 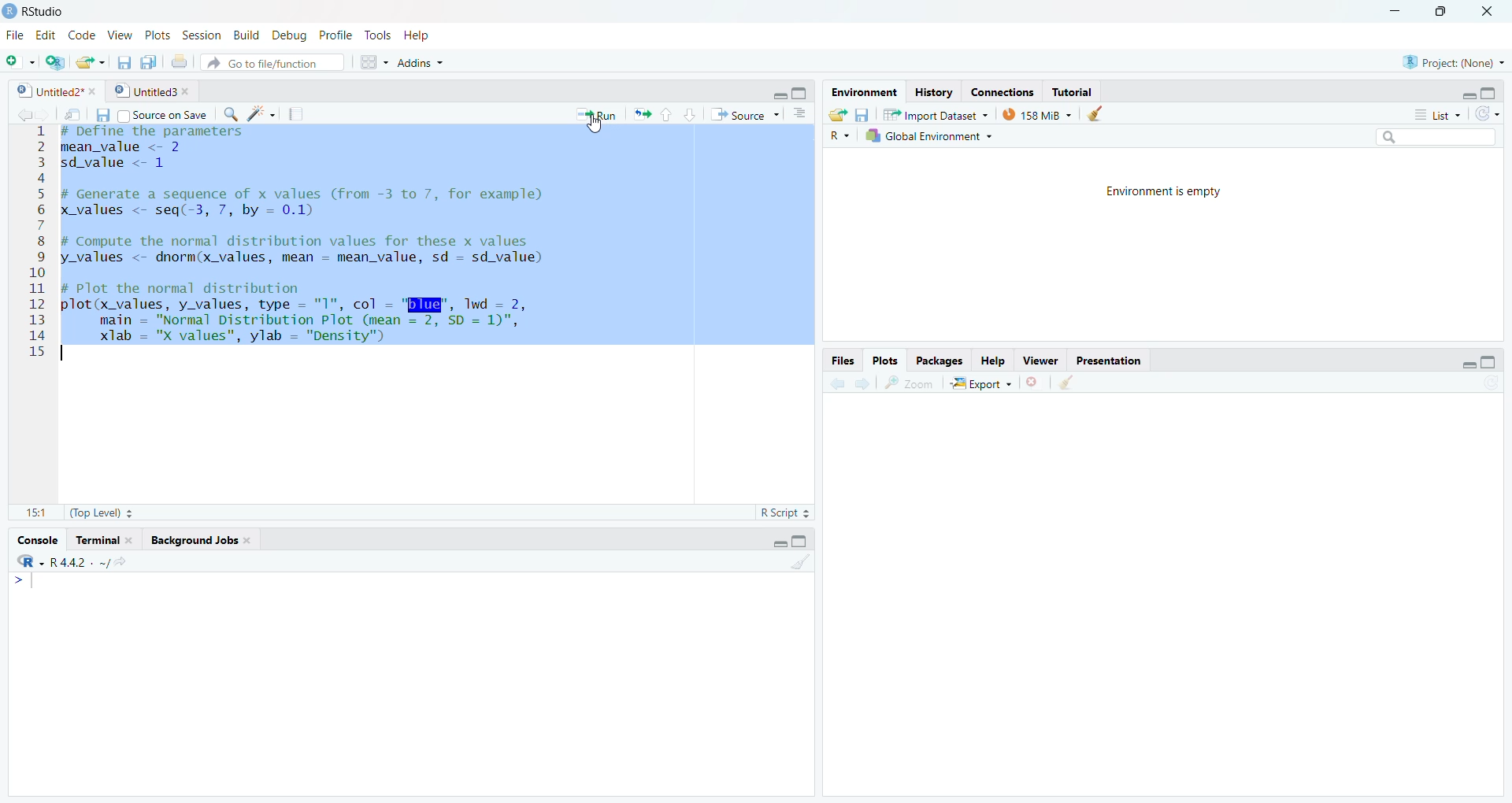 What do you see at coordinates (1445, 62) in the screenshot?
I see `U Project: (None) +` at bounding box center [1445, 62].